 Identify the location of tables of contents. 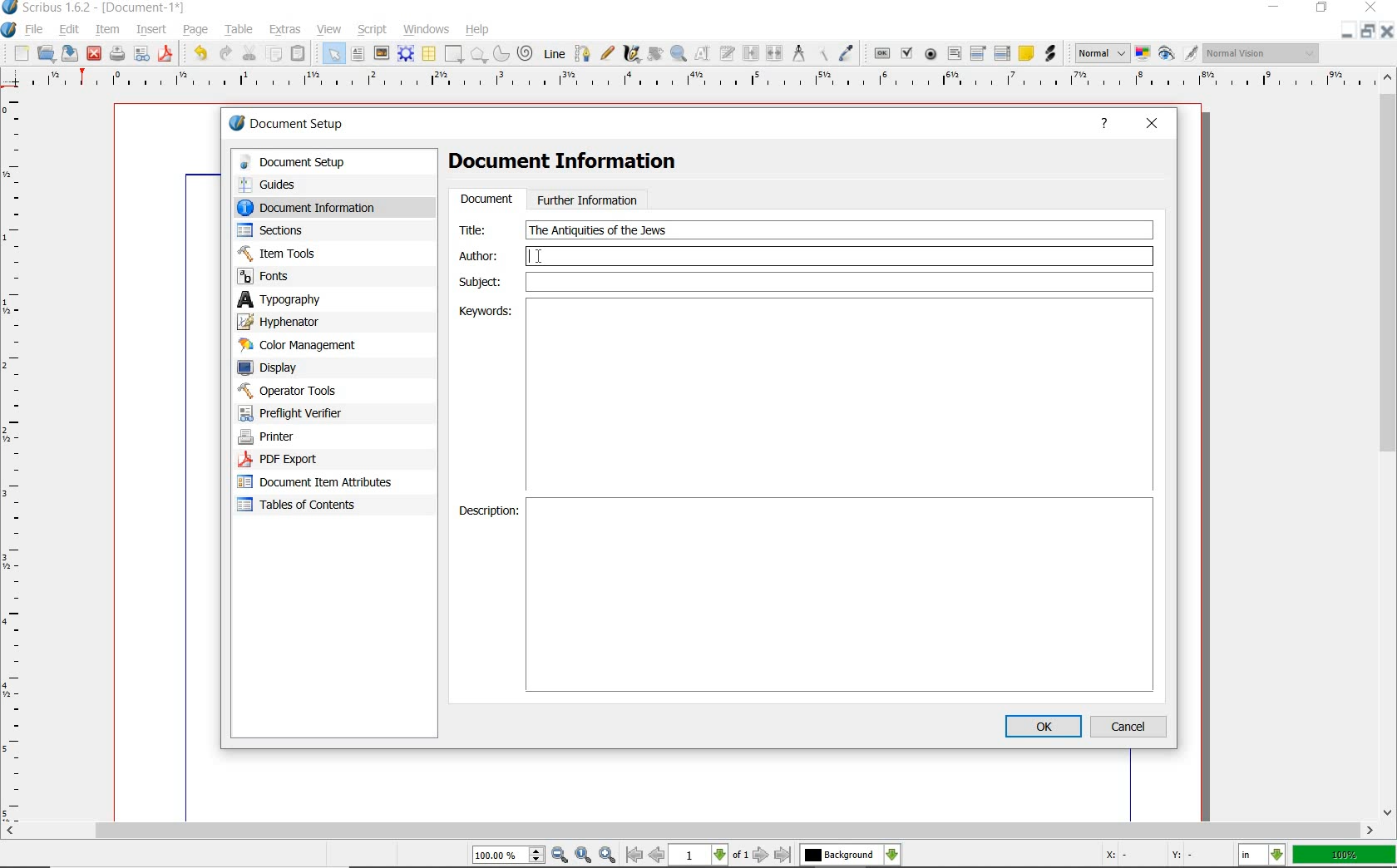
(308, 506).